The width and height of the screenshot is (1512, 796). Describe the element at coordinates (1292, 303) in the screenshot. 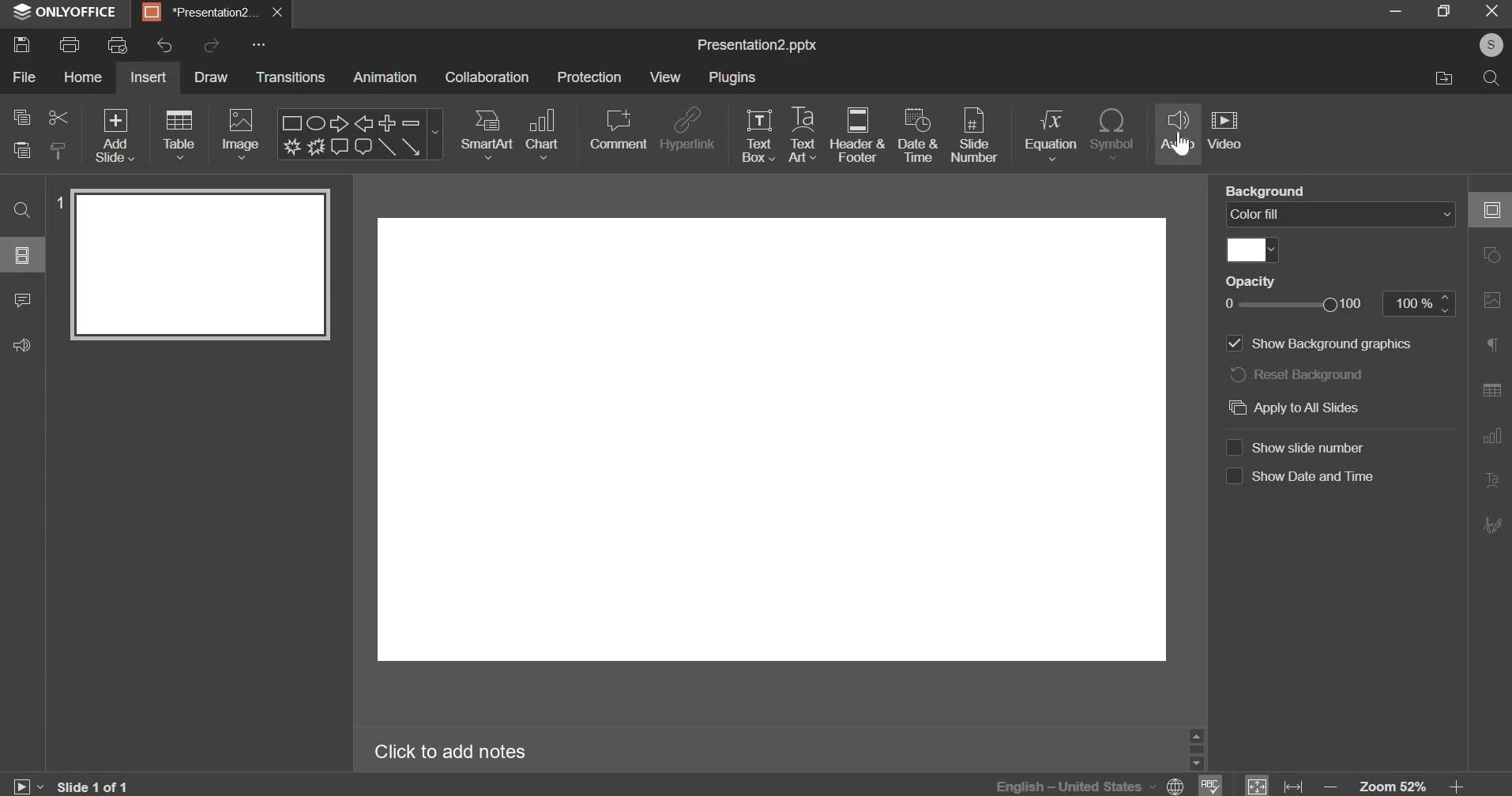

I see `slider from 0 to 100` at that location.